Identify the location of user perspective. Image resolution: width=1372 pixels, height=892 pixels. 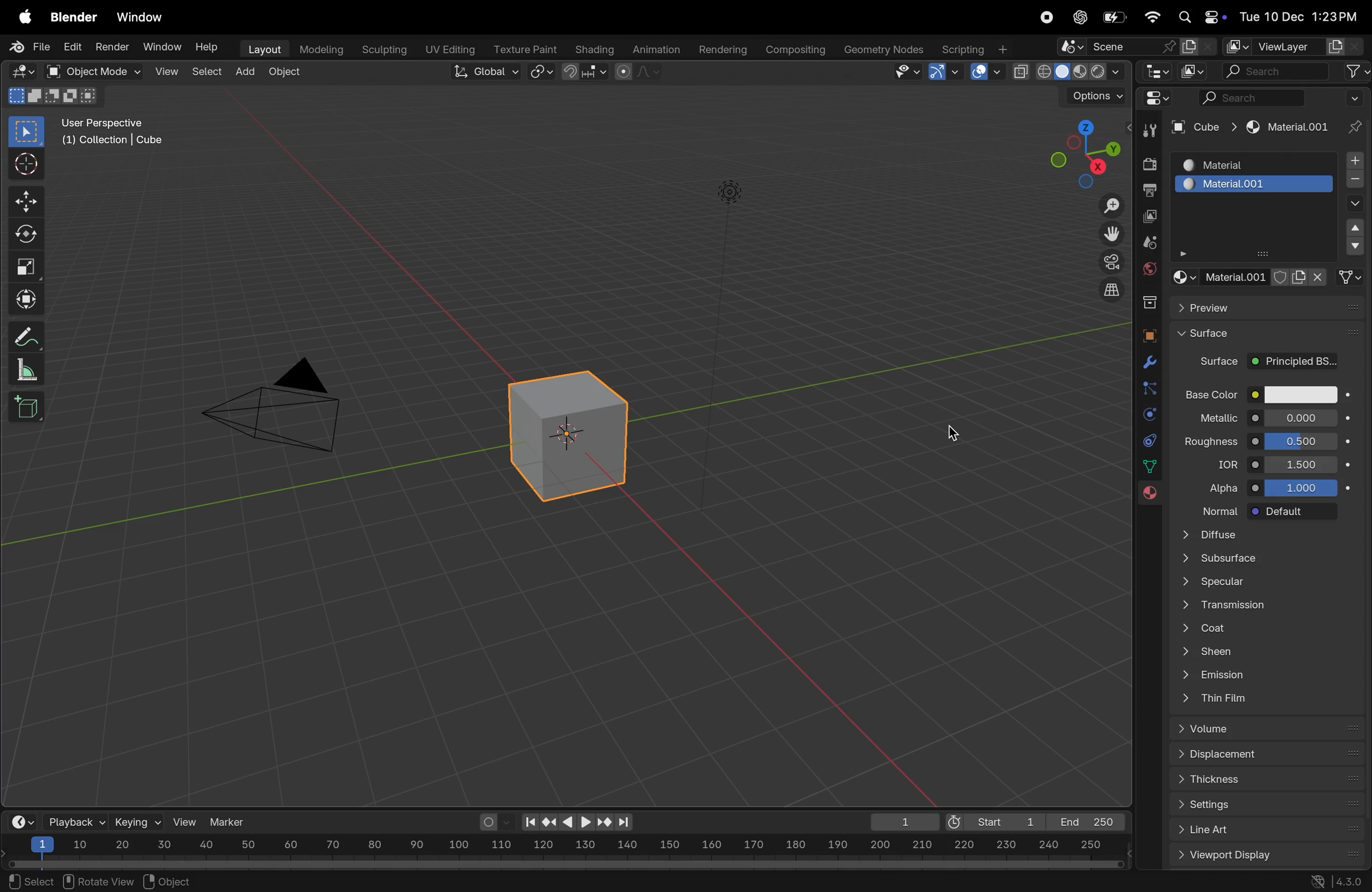
(119, 131).